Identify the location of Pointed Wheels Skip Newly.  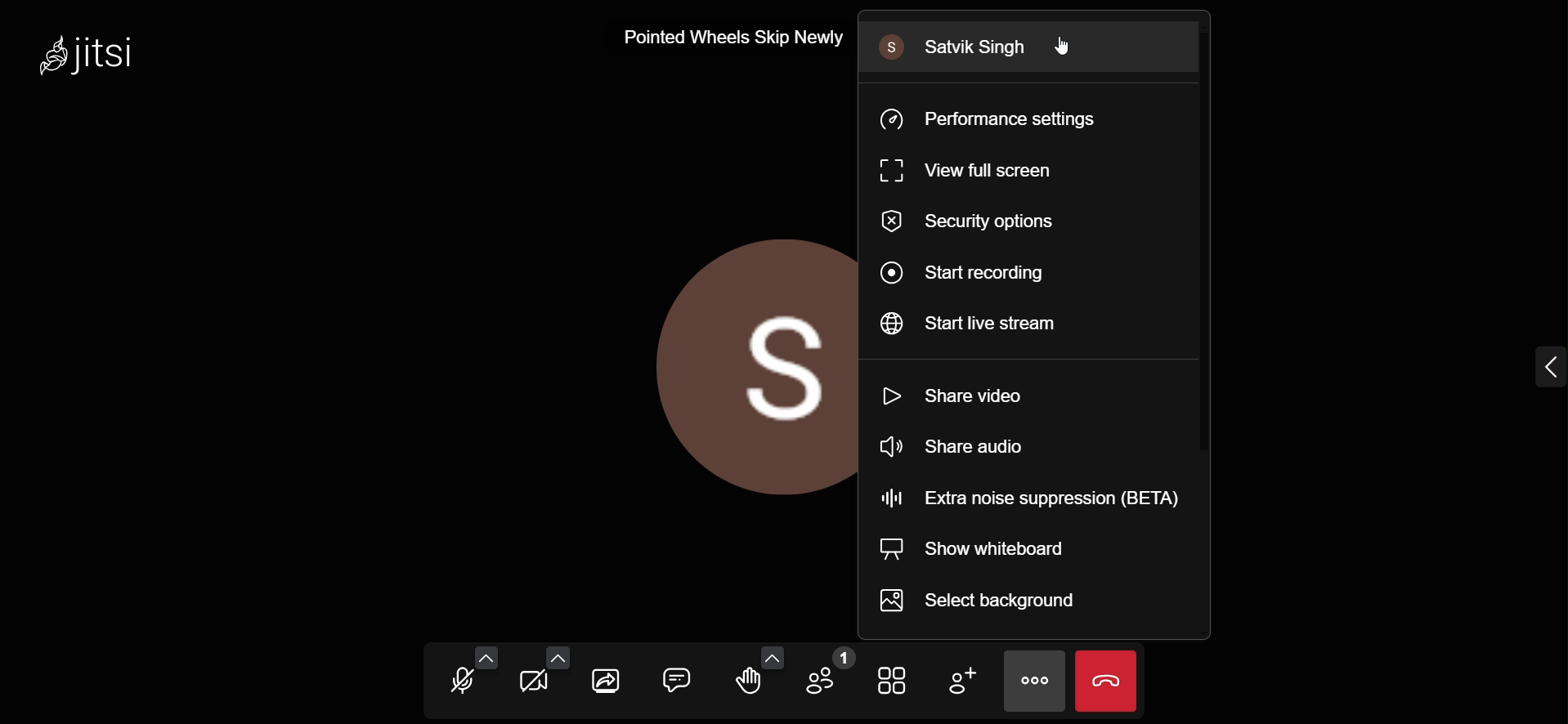
(730, 38).